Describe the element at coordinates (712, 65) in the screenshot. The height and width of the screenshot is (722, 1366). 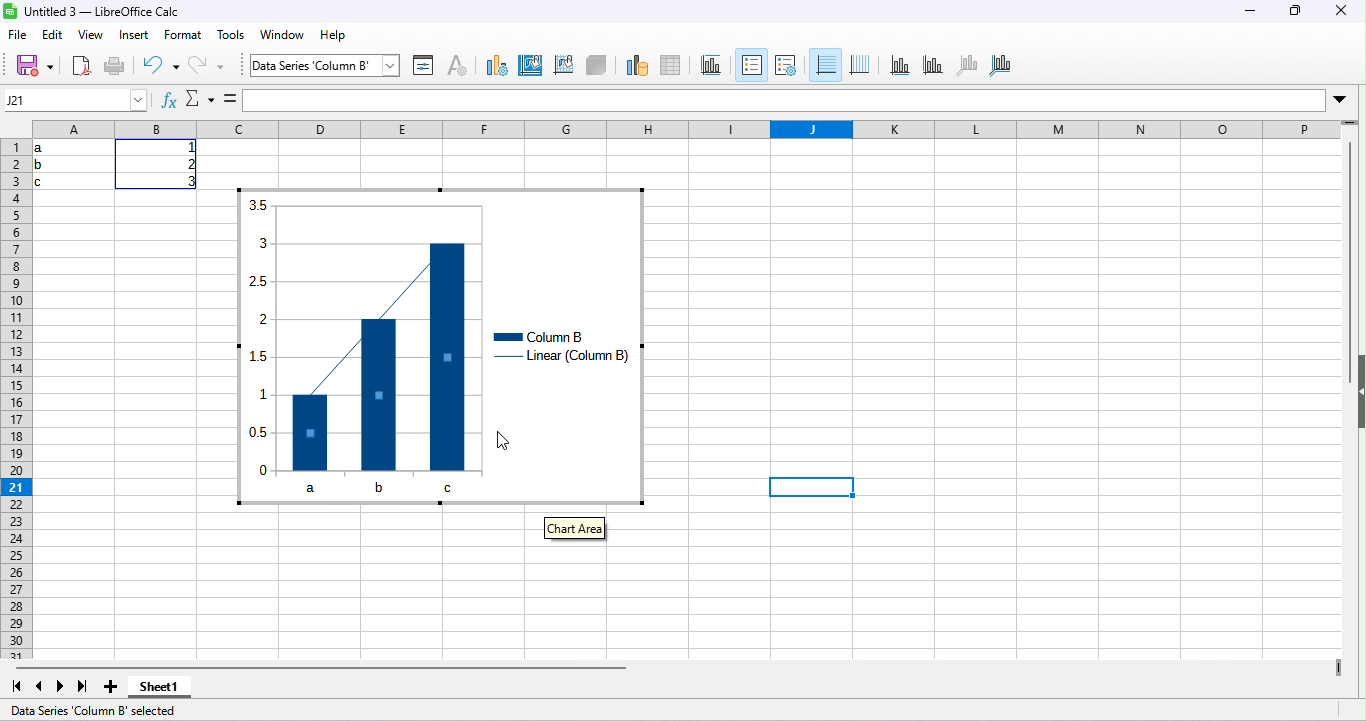
I see `titles` at that location.